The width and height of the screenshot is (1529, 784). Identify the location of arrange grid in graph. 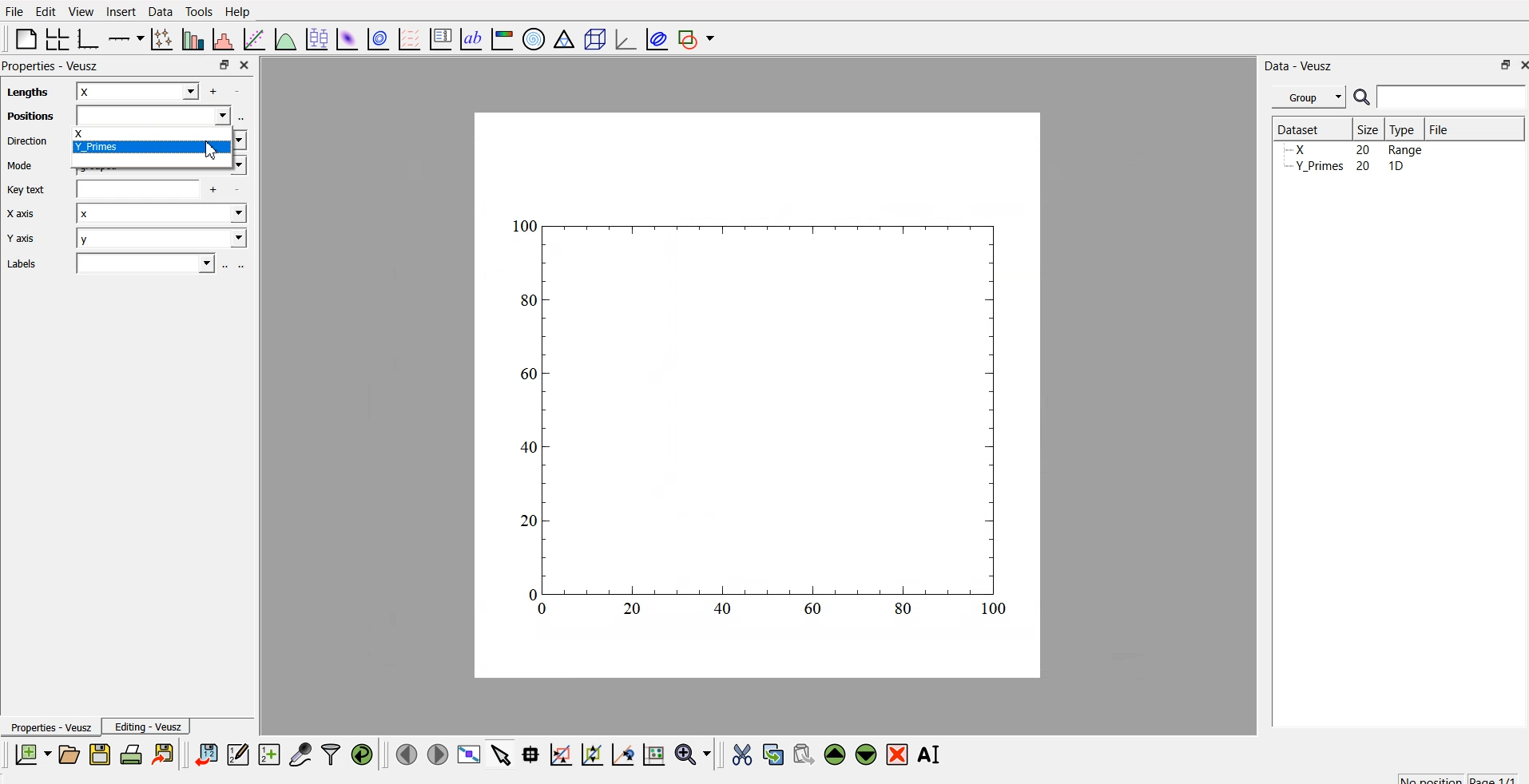
(56, 37).